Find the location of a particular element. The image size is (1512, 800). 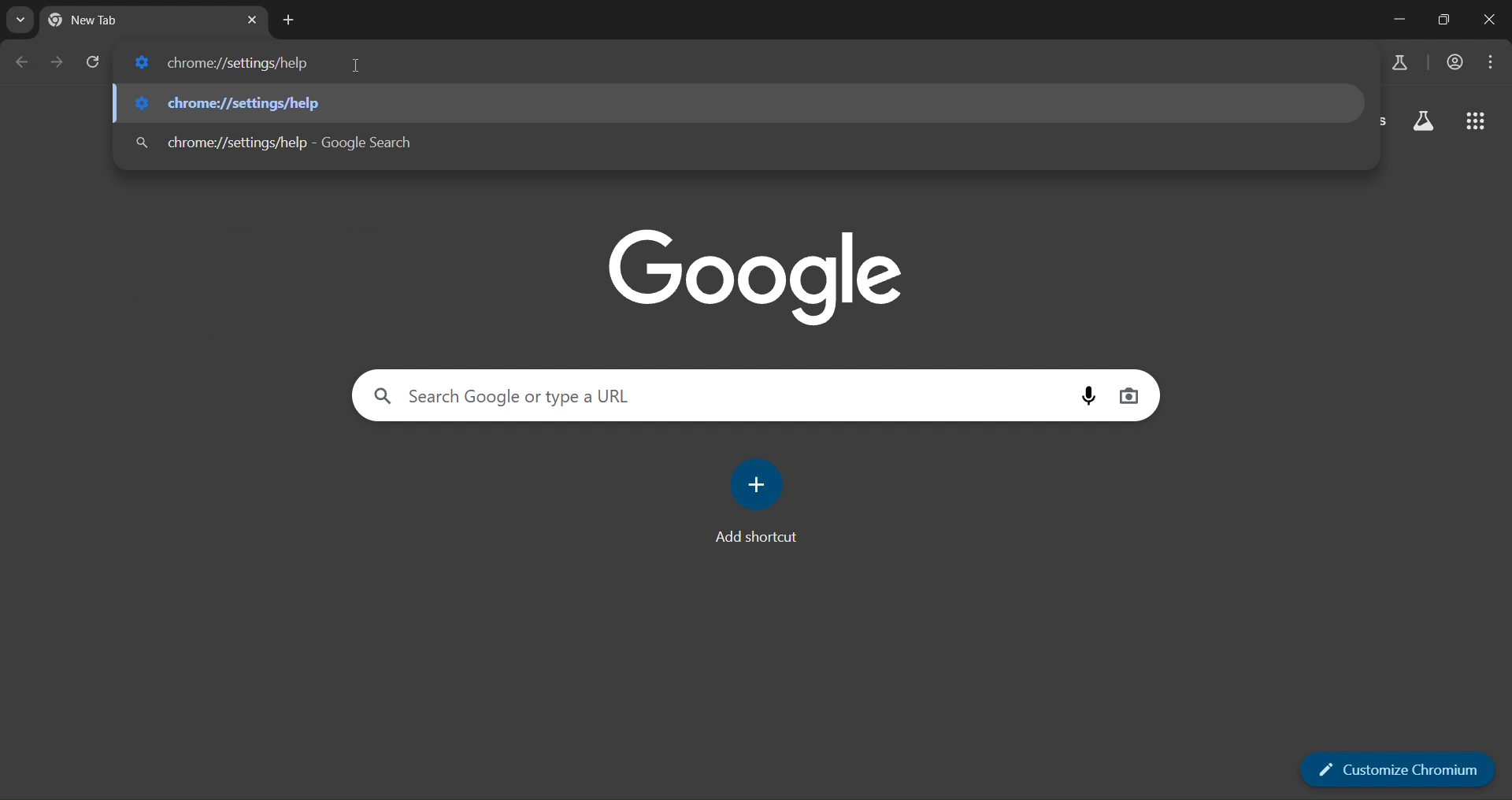

voice search is located at coordinates (1087, 398).